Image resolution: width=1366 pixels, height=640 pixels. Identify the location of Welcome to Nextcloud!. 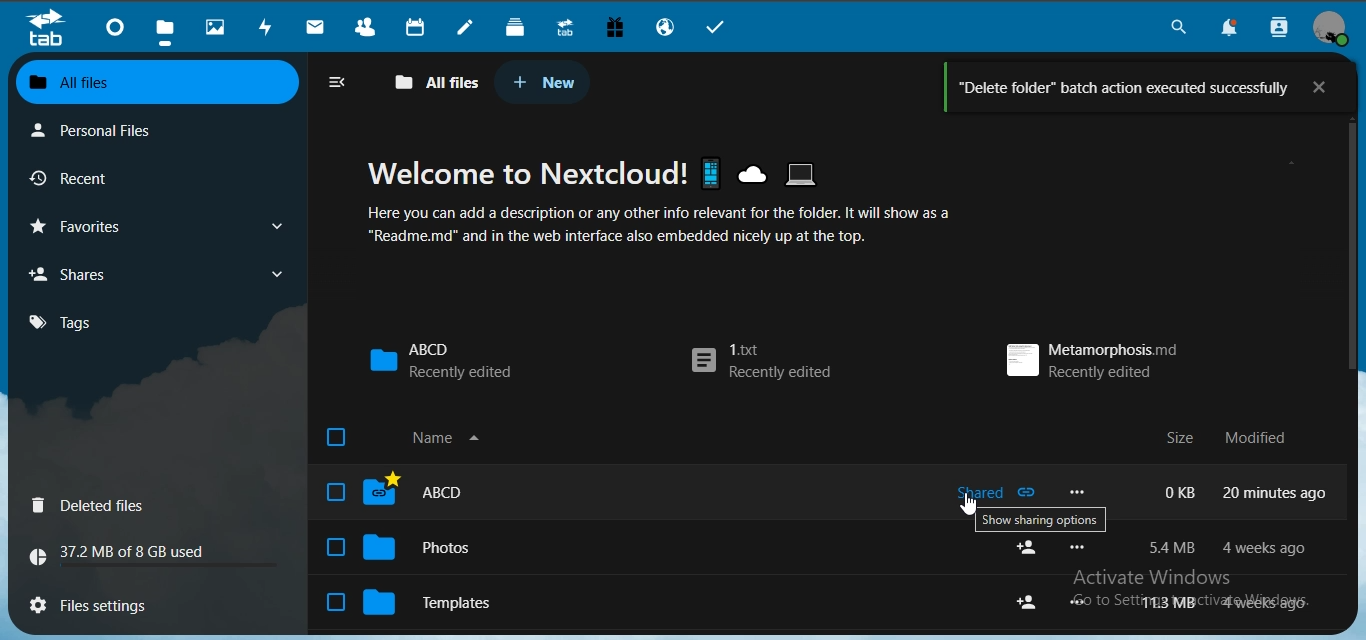
(607, 174).